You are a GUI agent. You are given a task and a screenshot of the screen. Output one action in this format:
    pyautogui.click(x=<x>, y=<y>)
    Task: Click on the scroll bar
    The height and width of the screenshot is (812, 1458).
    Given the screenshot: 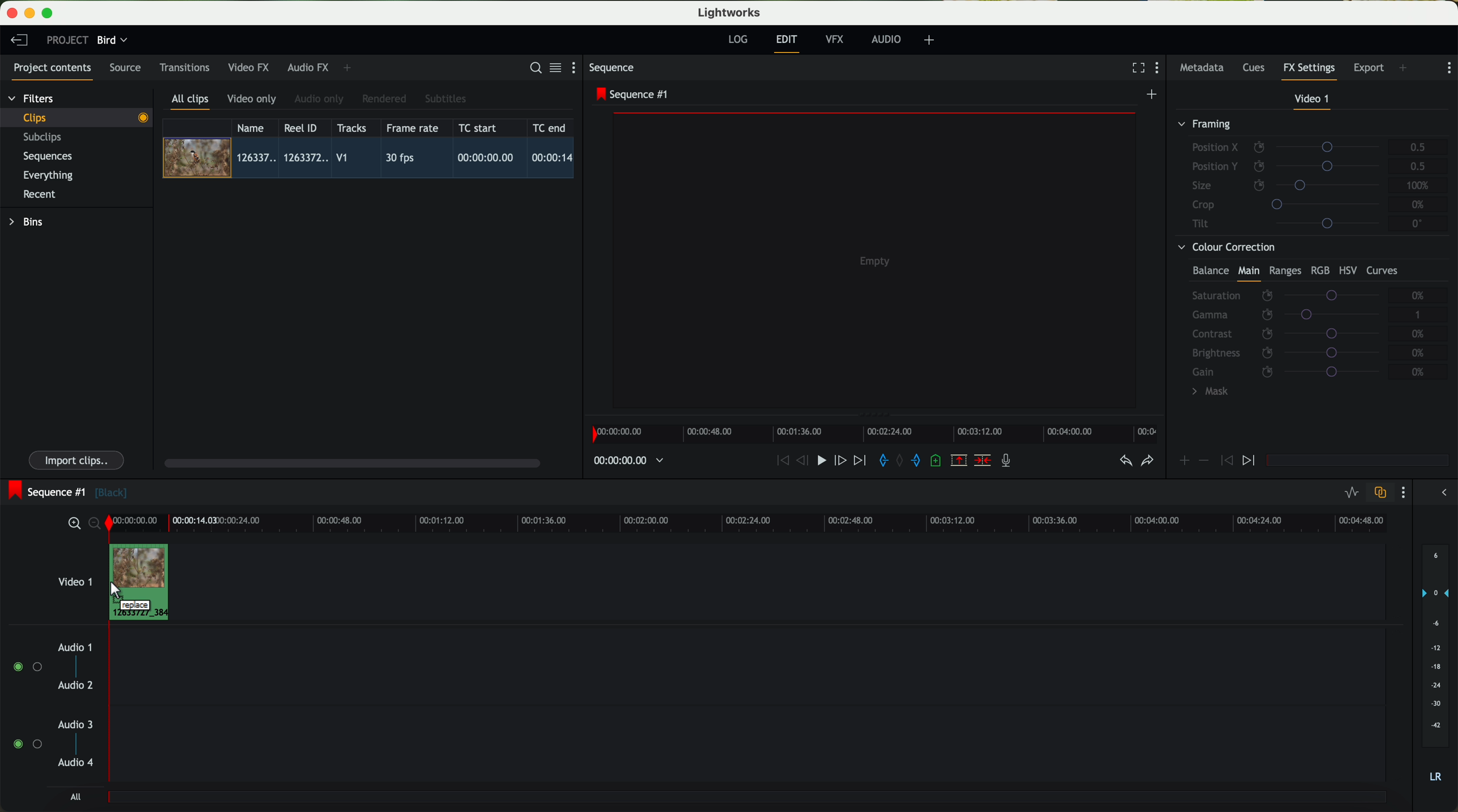 What is the action you would take?
    pyautogui.click(x=351, y=462)
    